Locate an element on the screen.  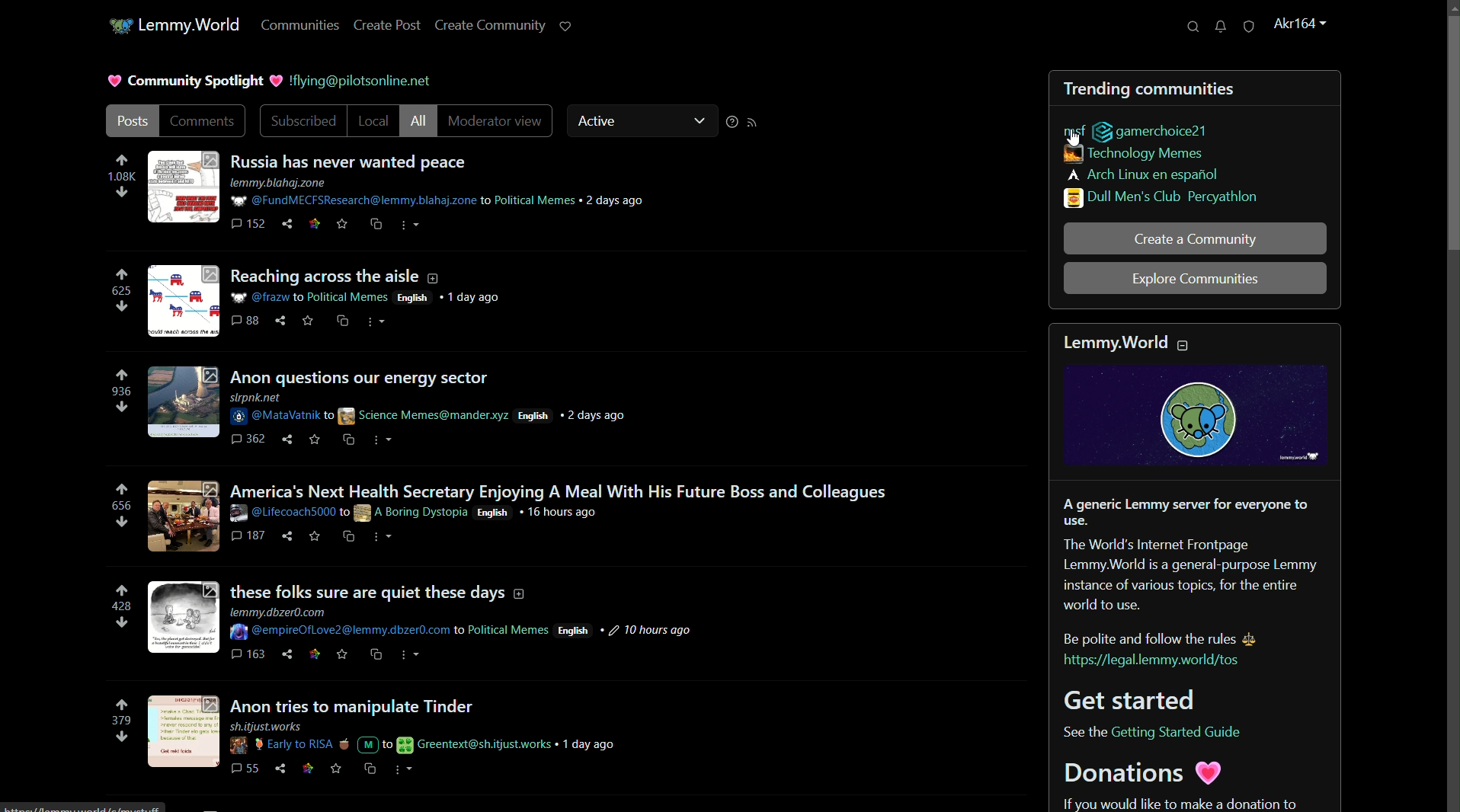
active is located at coordinates (598, 122).